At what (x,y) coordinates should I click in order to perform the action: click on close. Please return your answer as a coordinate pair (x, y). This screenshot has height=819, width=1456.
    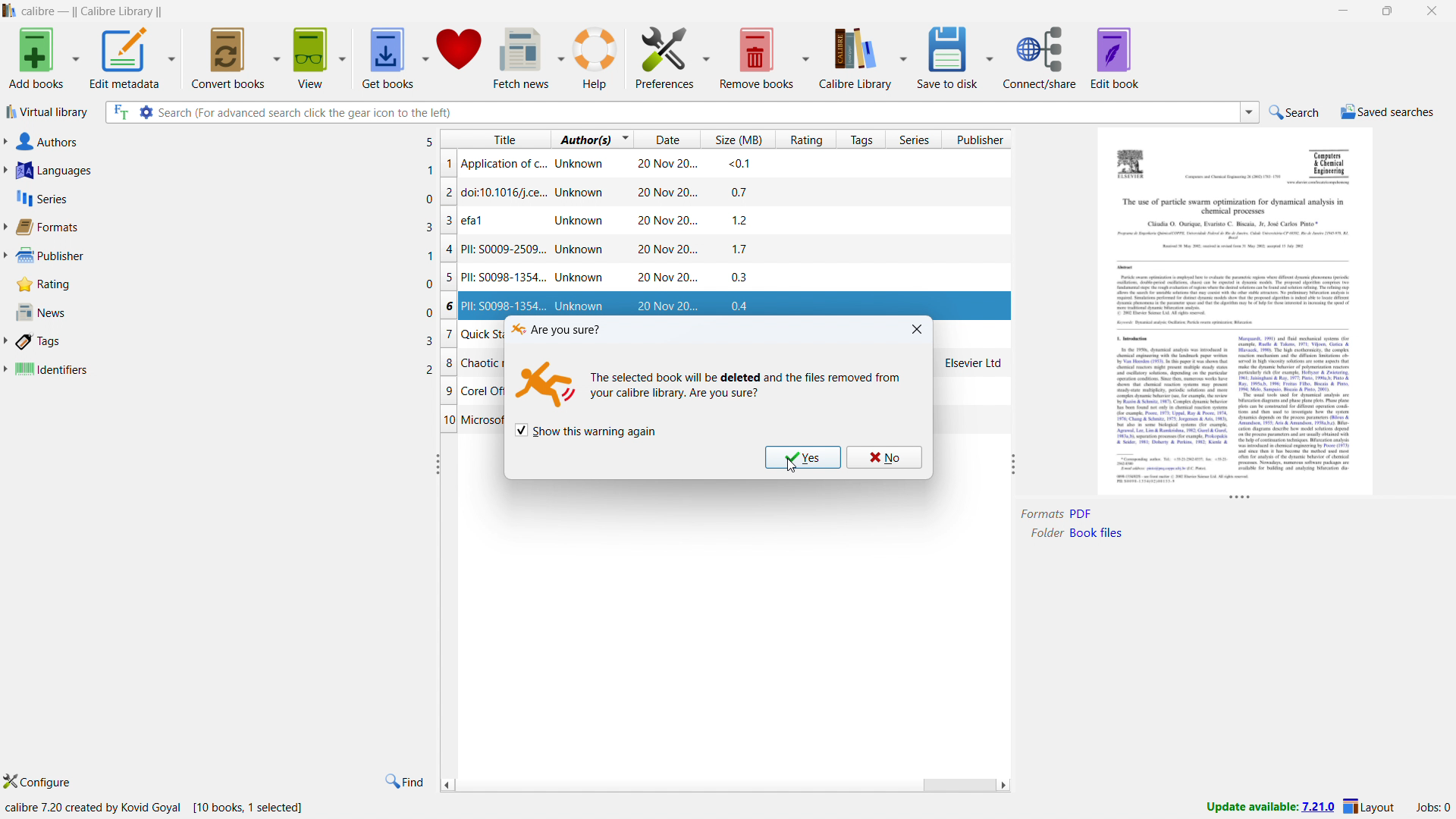
    Looking at the image, I should click on (1432, 11).